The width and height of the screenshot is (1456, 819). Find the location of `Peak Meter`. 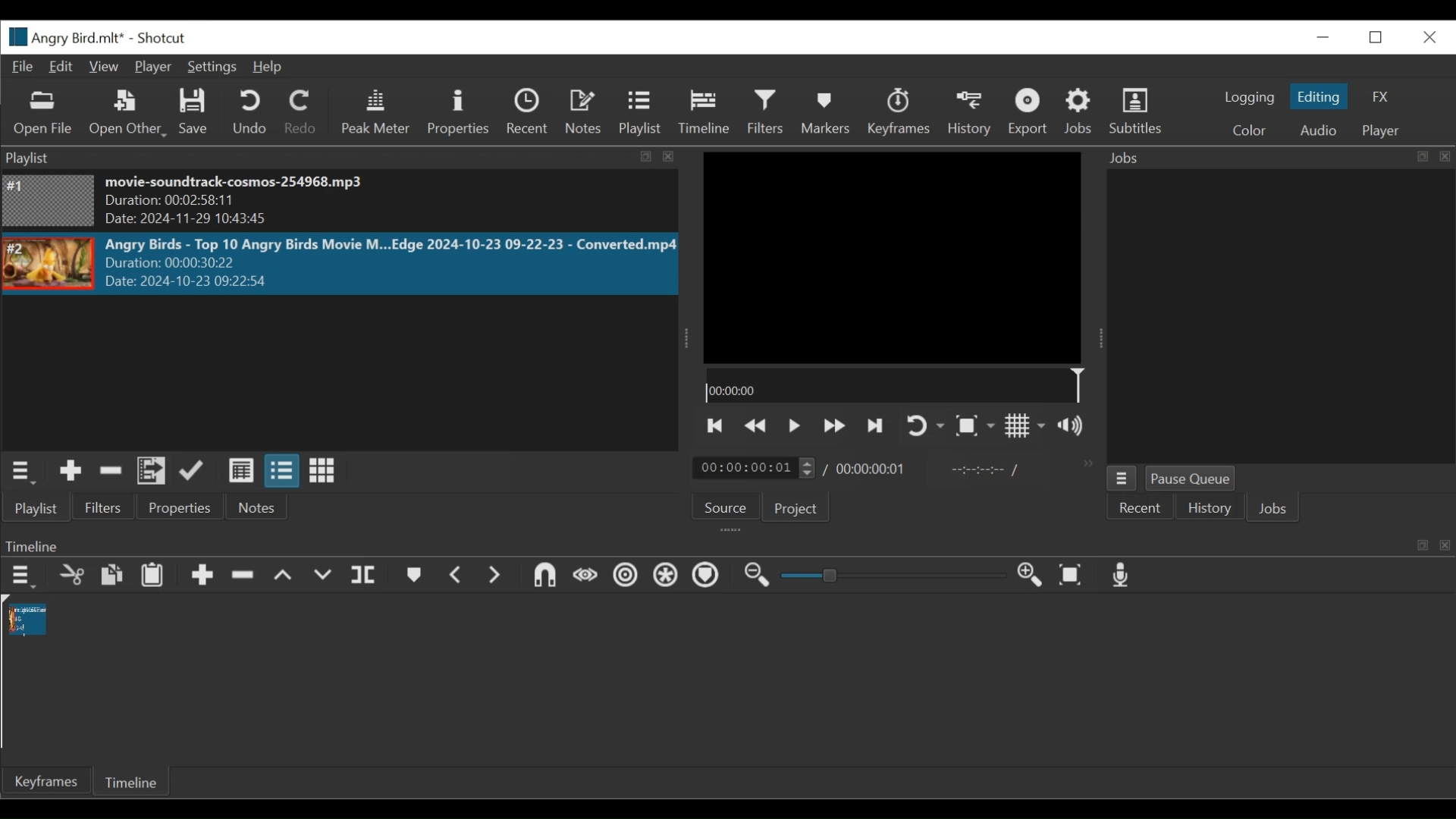

Peak Meter is located at coordinates (375, 114).